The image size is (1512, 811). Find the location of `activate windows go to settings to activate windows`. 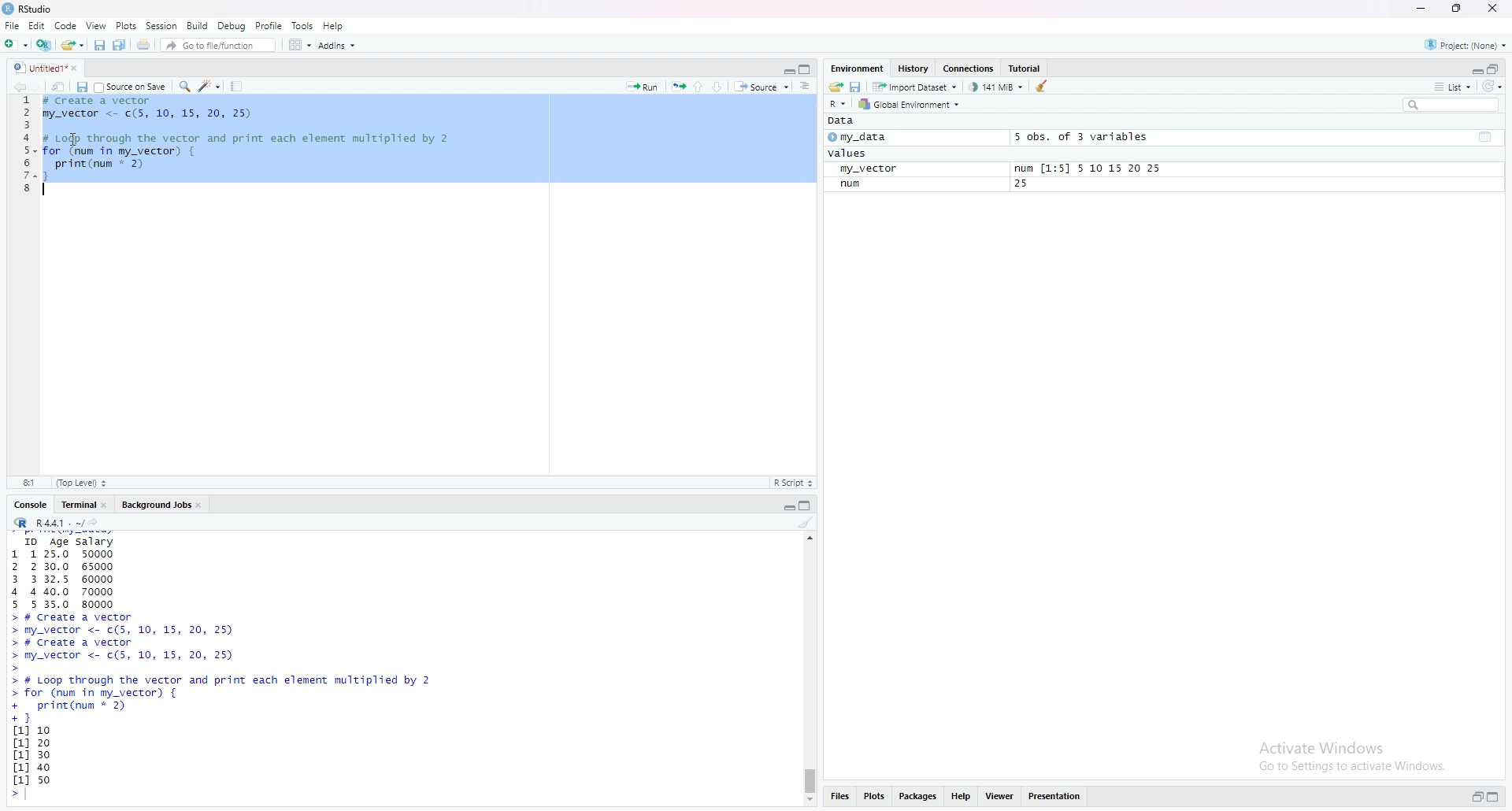

activate windows go to settings to activate windows is located at coordinates (1340, 752).